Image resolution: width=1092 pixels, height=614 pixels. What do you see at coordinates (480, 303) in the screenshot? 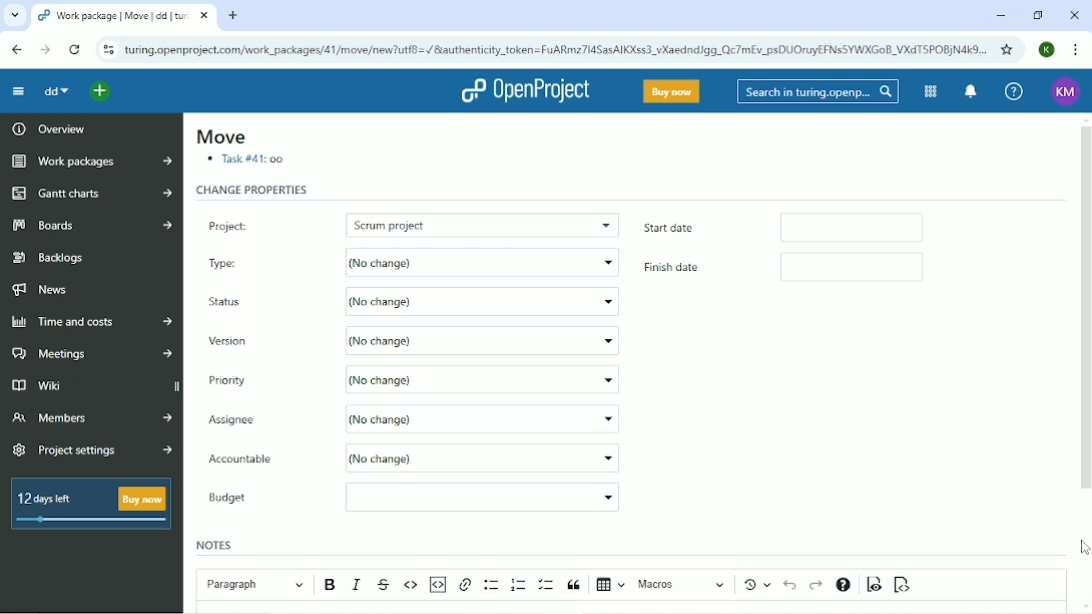
I see `(No change)` at bounding box center [480, 303].